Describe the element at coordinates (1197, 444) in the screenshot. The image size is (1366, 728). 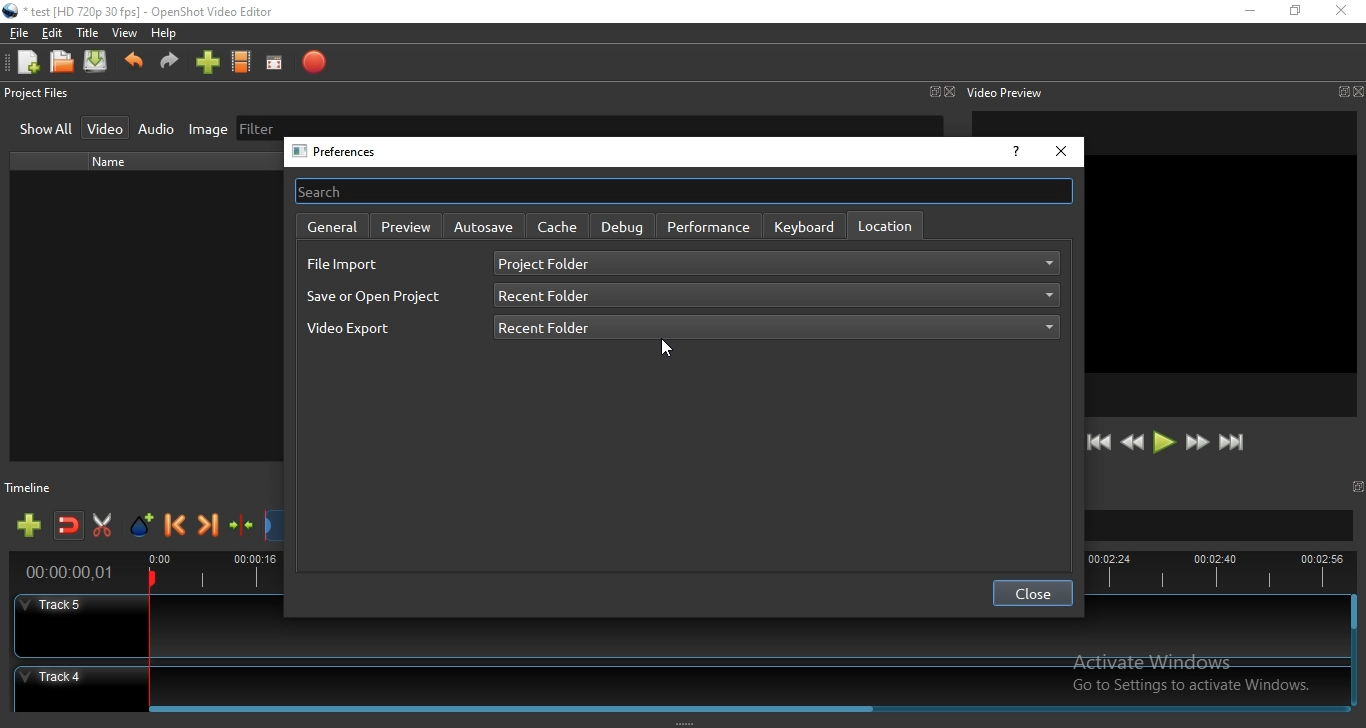
I see `Fast forward` at that location.